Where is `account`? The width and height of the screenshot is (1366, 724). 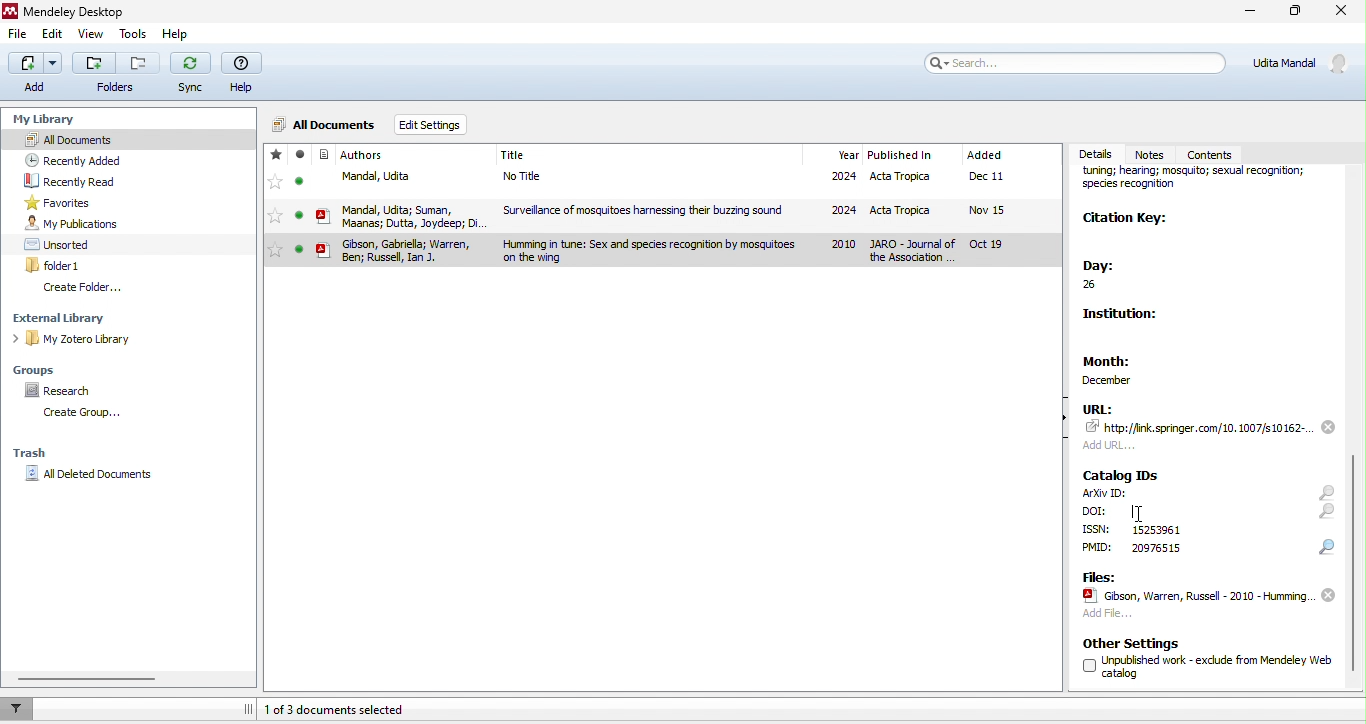 account is located at coordinates (1302, 62).